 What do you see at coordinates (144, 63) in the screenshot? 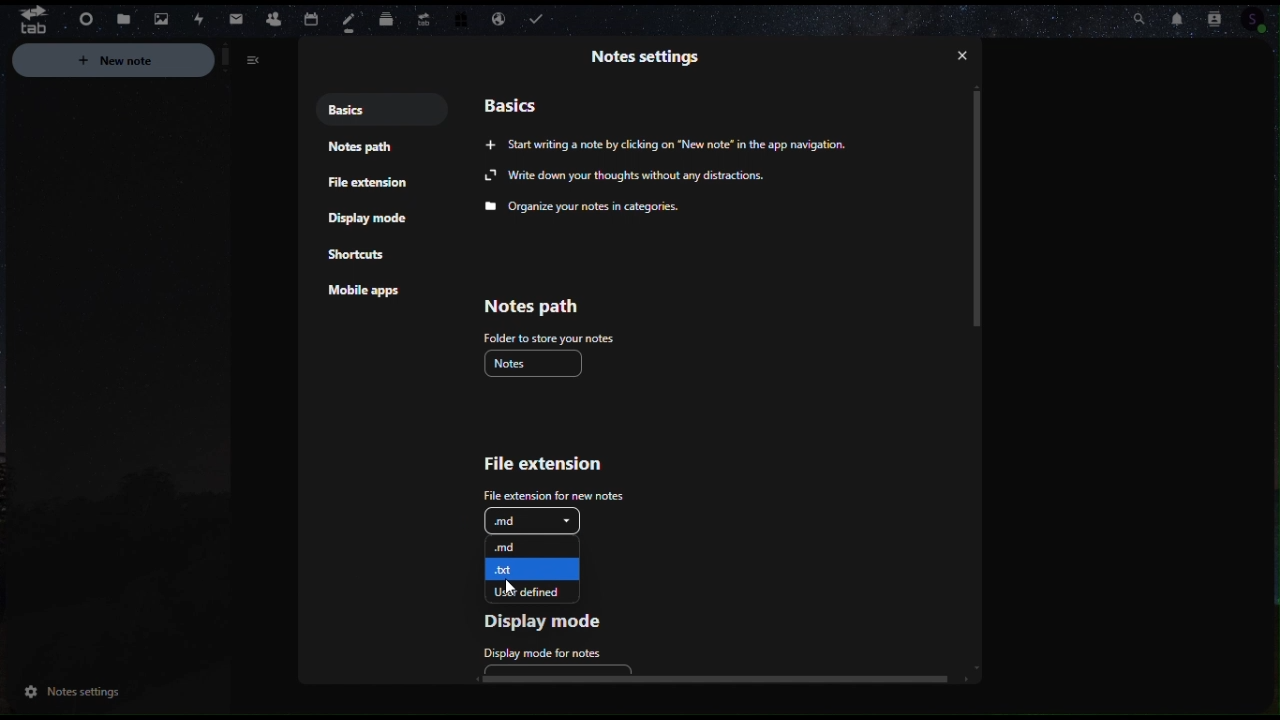
I see `New notes notes setting` at bounding box center [144, 63].